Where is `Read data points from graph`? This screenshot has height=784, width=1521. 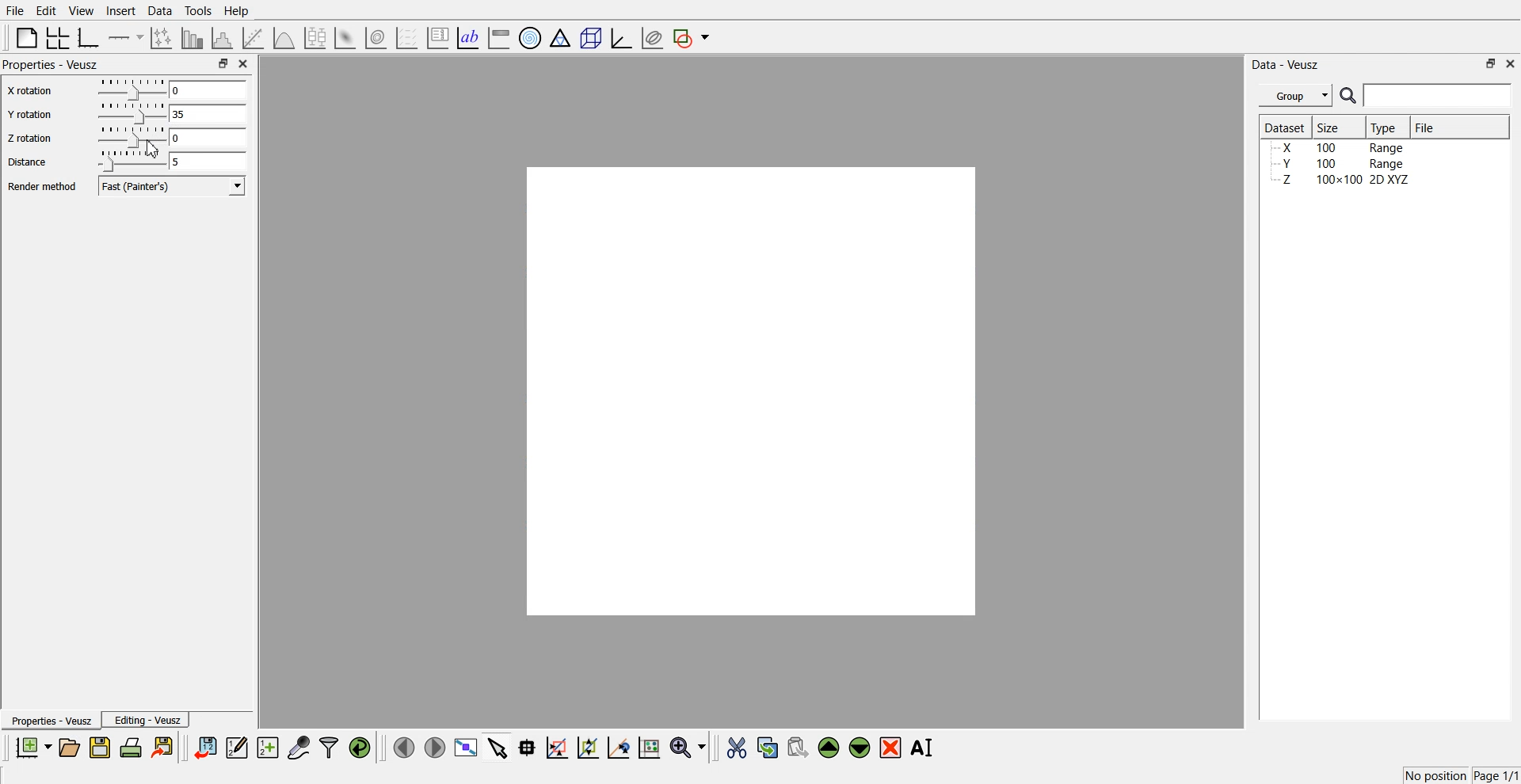 Read data points from graph is located at coordinates (528, 747).